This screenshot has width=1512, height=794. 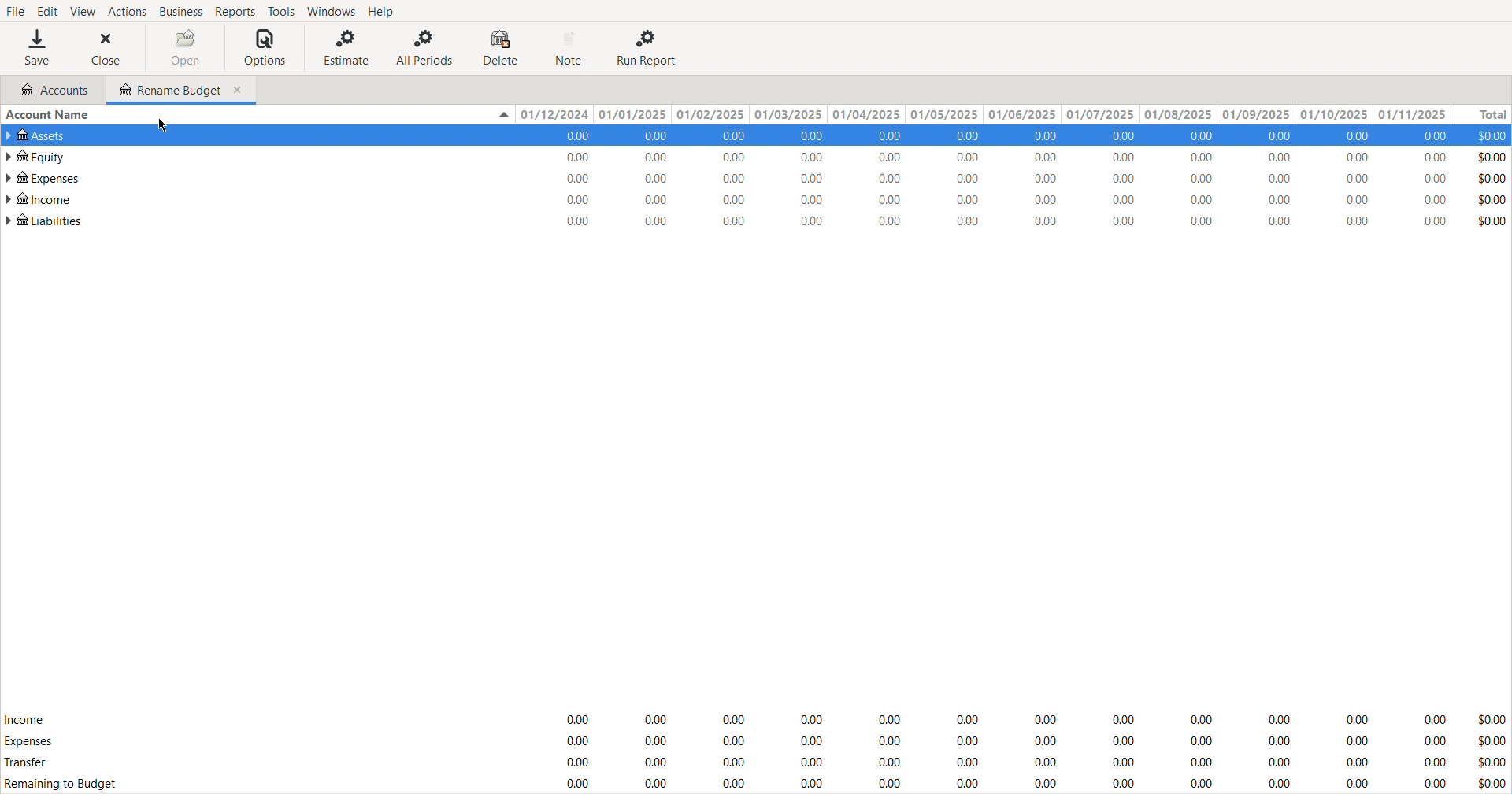 What do you see at coordinates (280, 11) in the screenshot?
I see `Tools` at bounding box center [280, 11].